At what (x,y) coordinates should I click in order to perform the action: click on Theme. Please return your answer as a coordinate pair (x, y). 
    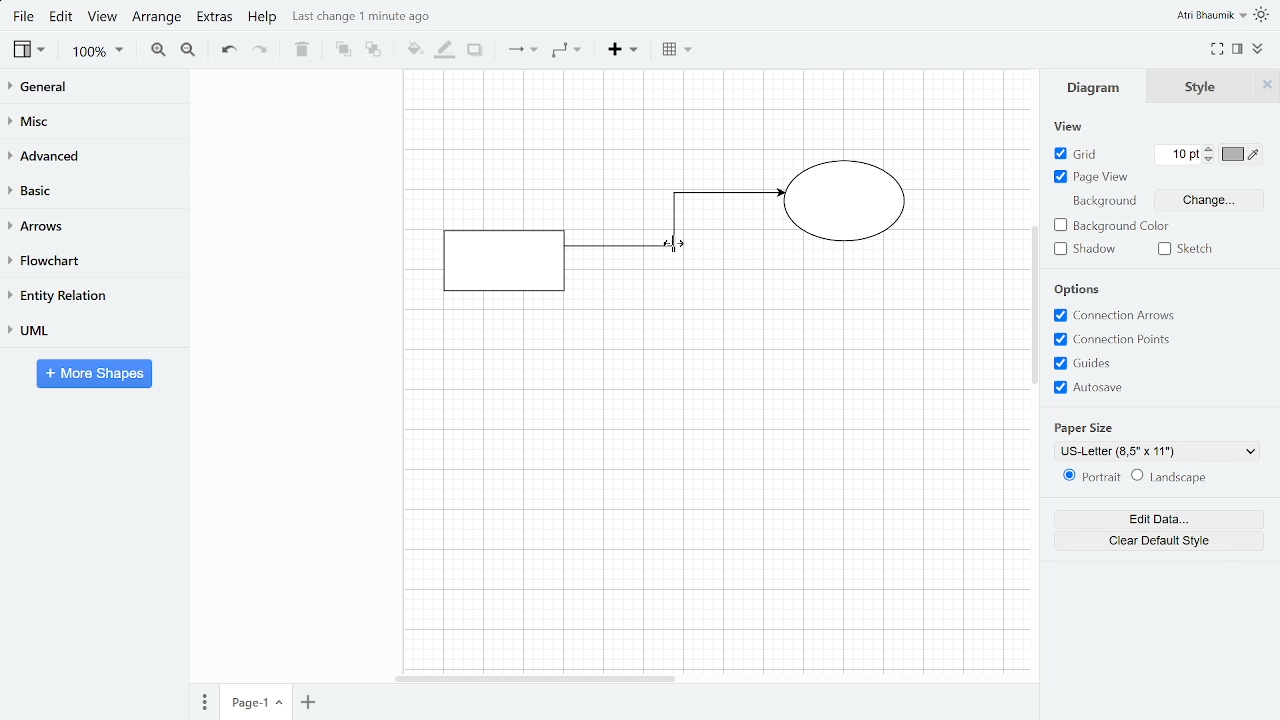
    Looking at the image, I should click on (1264, 14).